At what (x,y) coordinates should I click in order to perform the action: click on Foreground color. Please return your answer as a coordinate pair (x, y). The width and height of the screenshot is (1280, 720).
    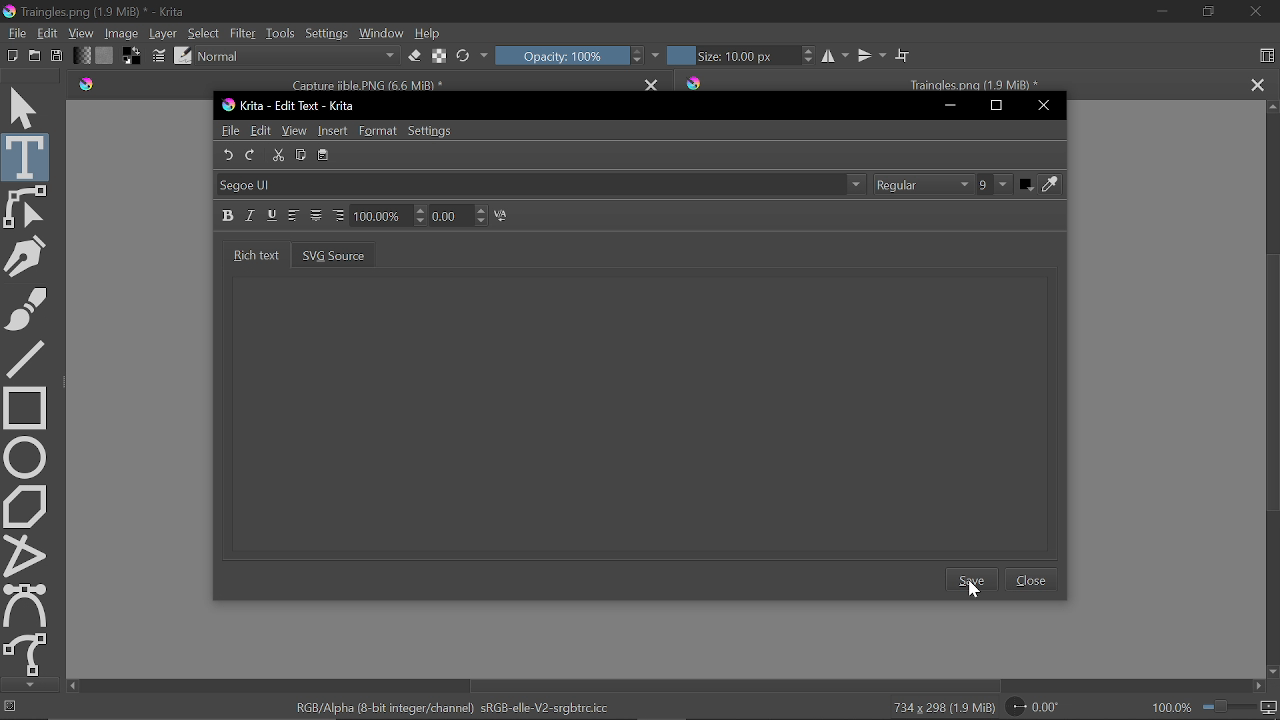
    Looking at the image, I should click on (132, 56).